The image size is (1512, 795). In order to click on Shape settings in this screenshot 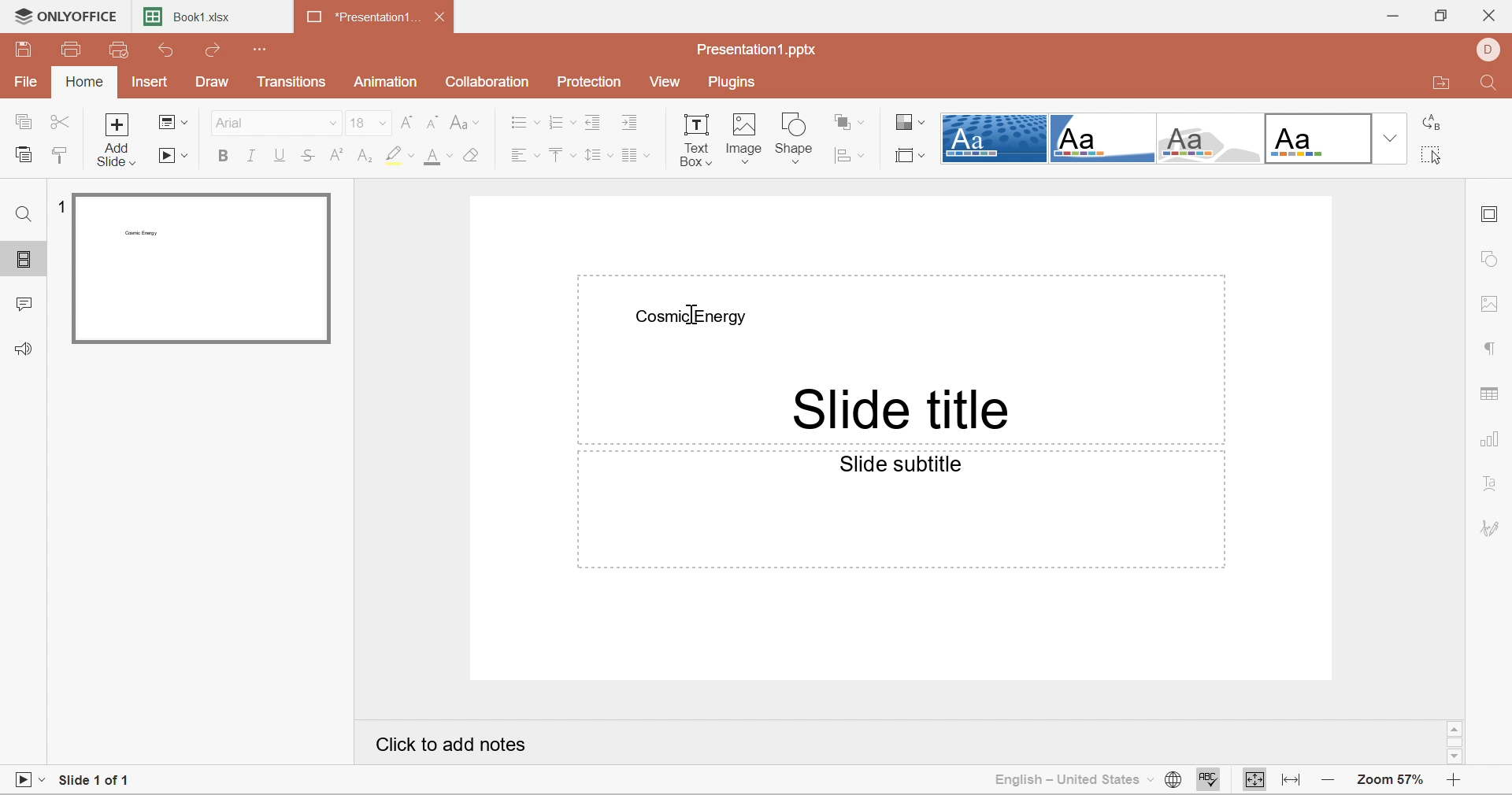, I will do `click(1495, 261)`.